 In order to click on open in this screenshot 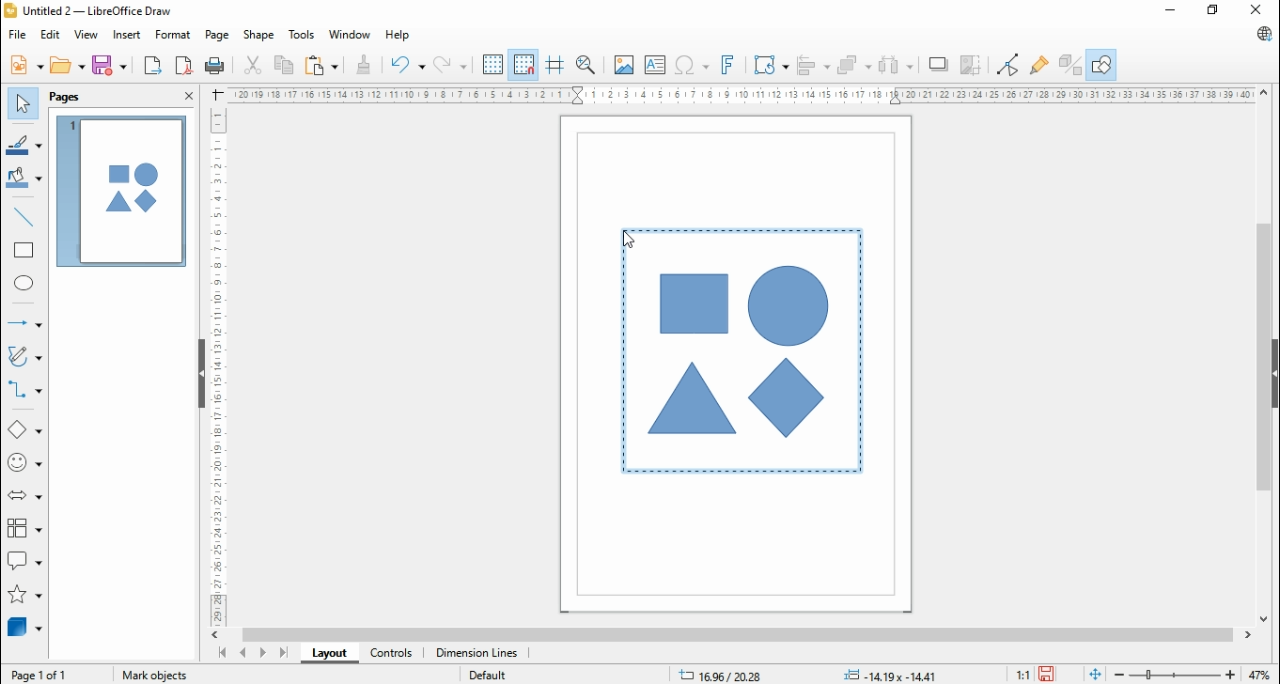, I will do `click(67, 64)`.